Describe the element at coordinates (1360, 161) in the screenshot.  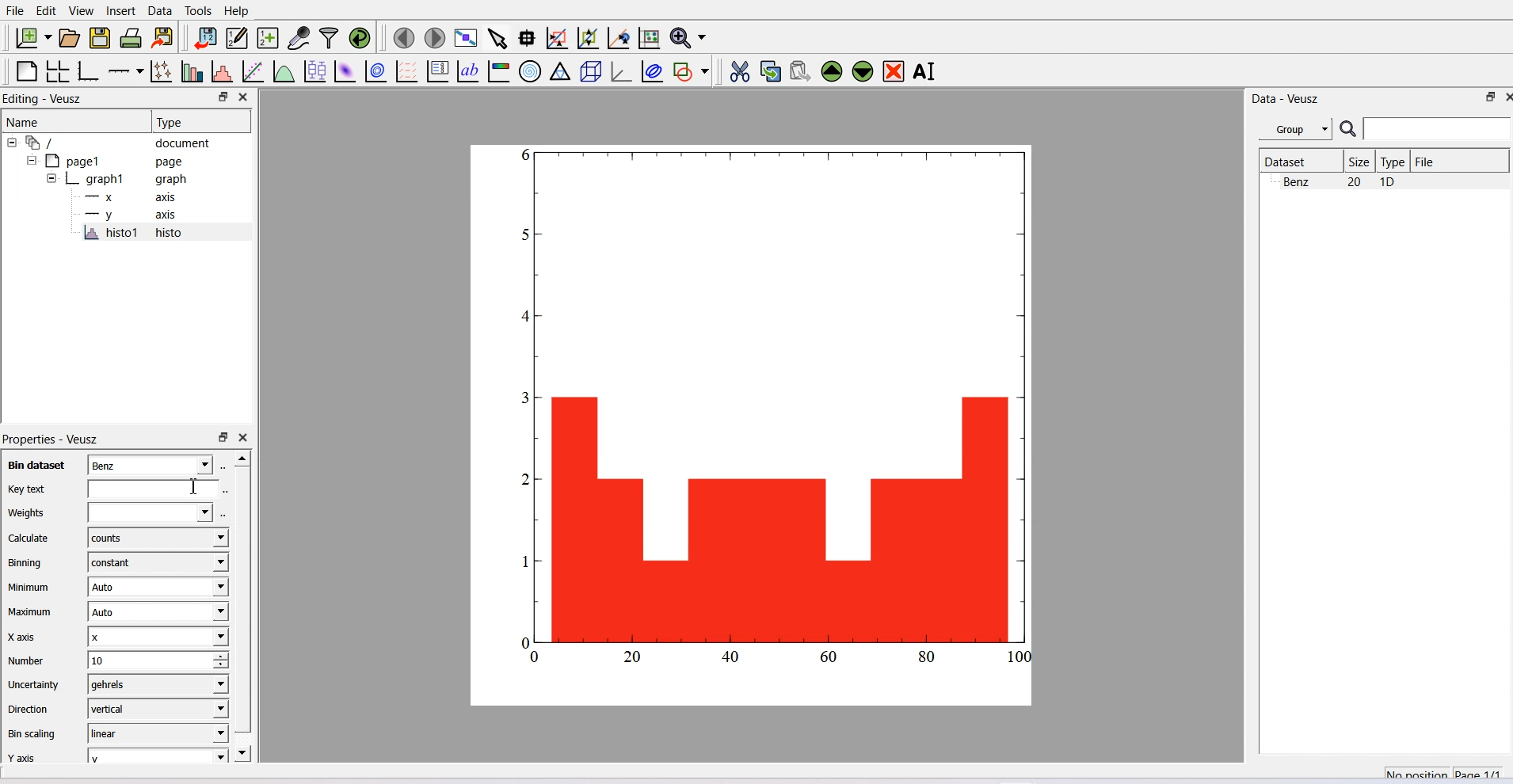
I see `Size` at that location.